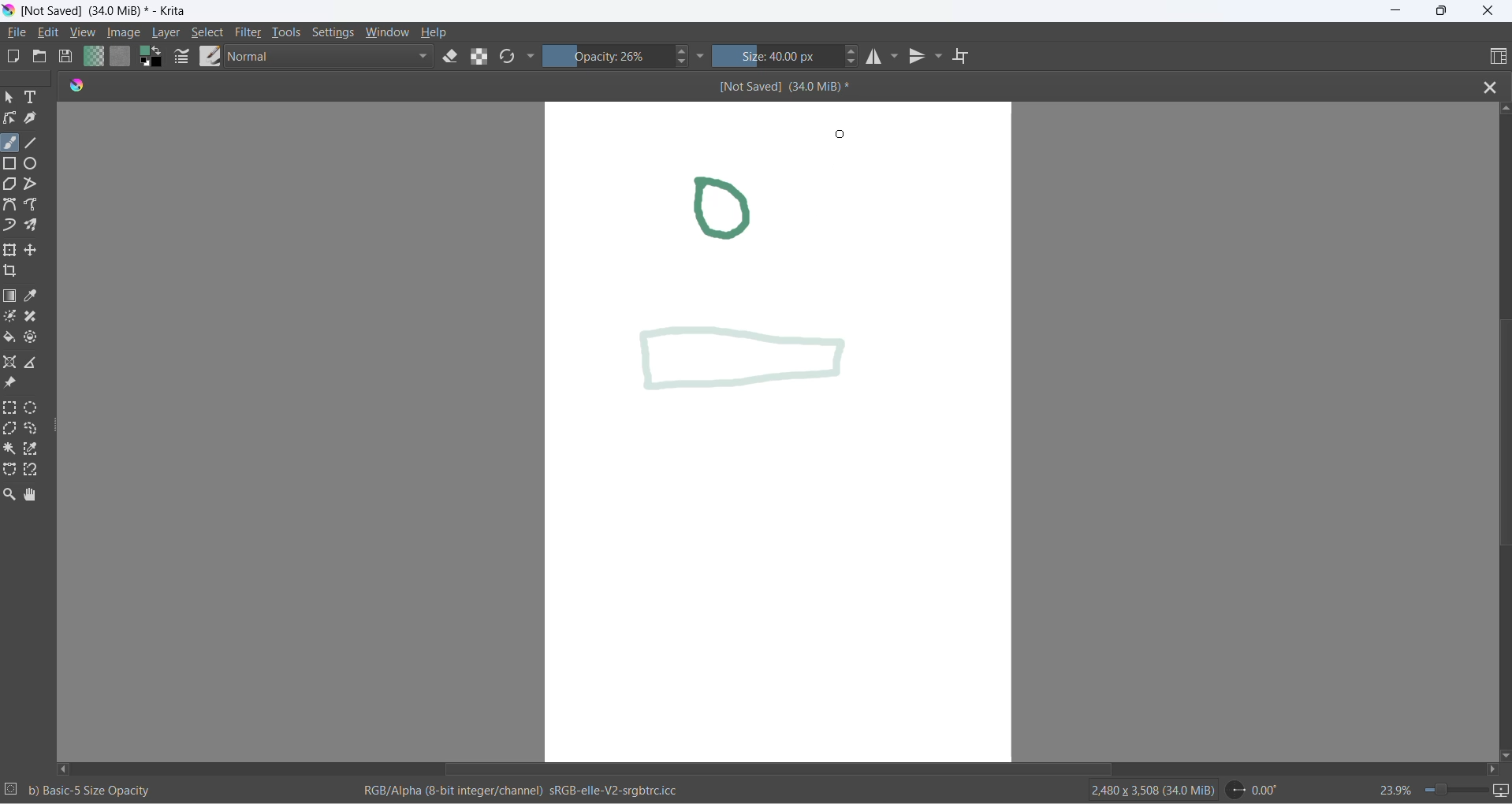 The image size is (1512, 804). What do you see at coordinates (528, 792) in the screenshot?
I see `RGB/Alpha (8-bit integer/channel) sRGb-elle-V2-srgbtrc.icc` at bounding box center [528, 792].